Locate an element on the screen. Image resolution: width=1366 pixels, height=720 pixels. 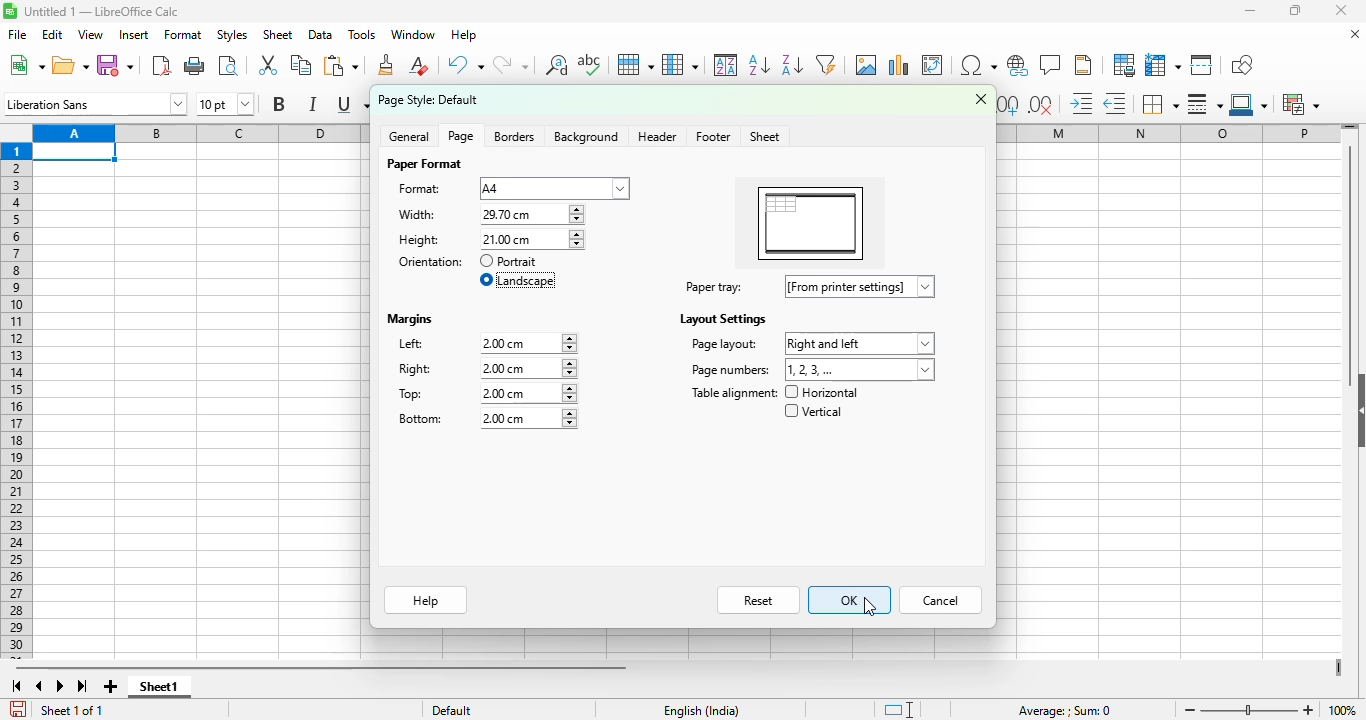
cut is located at coordinates (268, 64).